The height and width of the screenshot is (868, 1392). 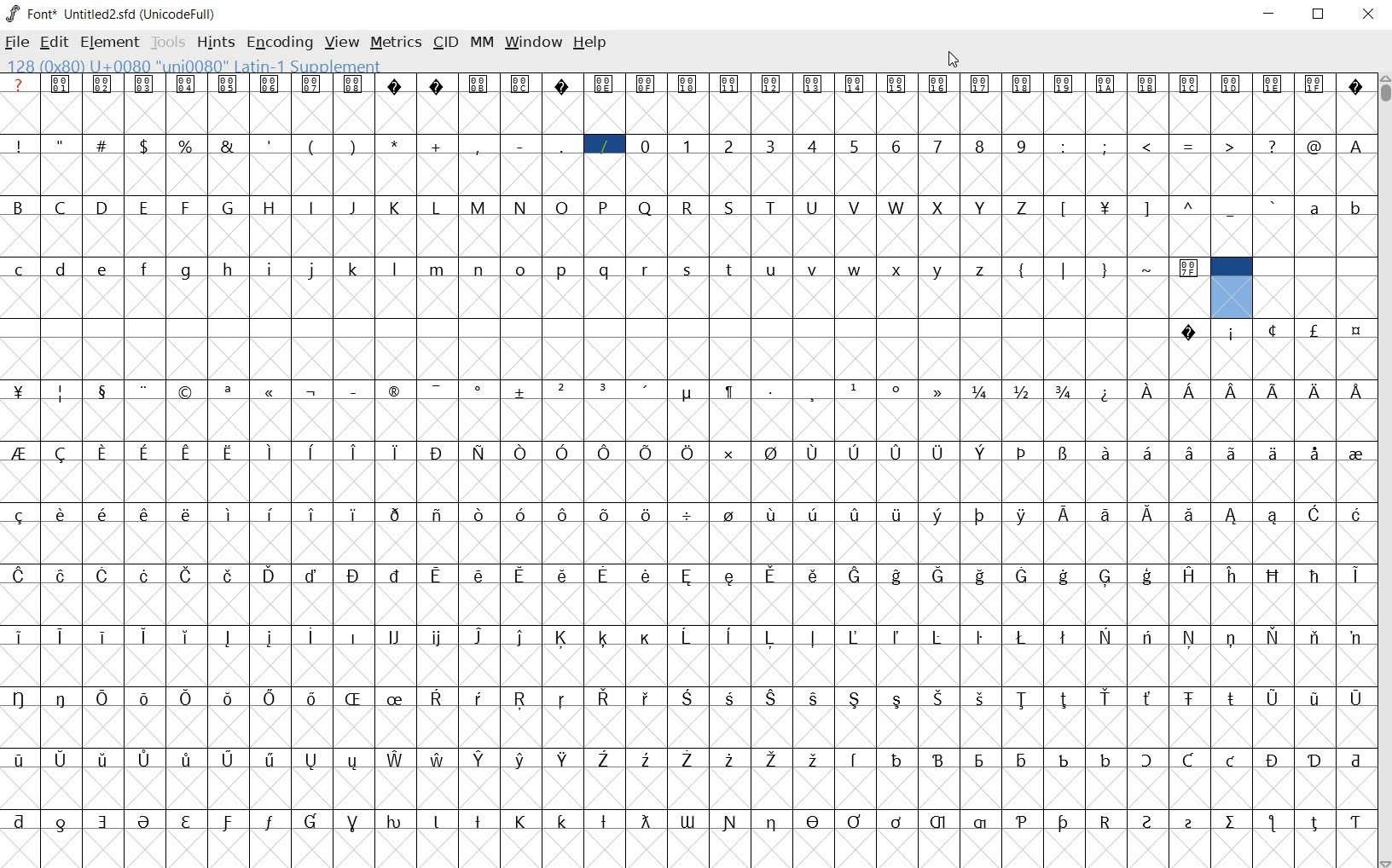 What do you see at coordinates (1270, 15) in the screenshot?
I see `Minimize` at bounding box center [1270, 15].